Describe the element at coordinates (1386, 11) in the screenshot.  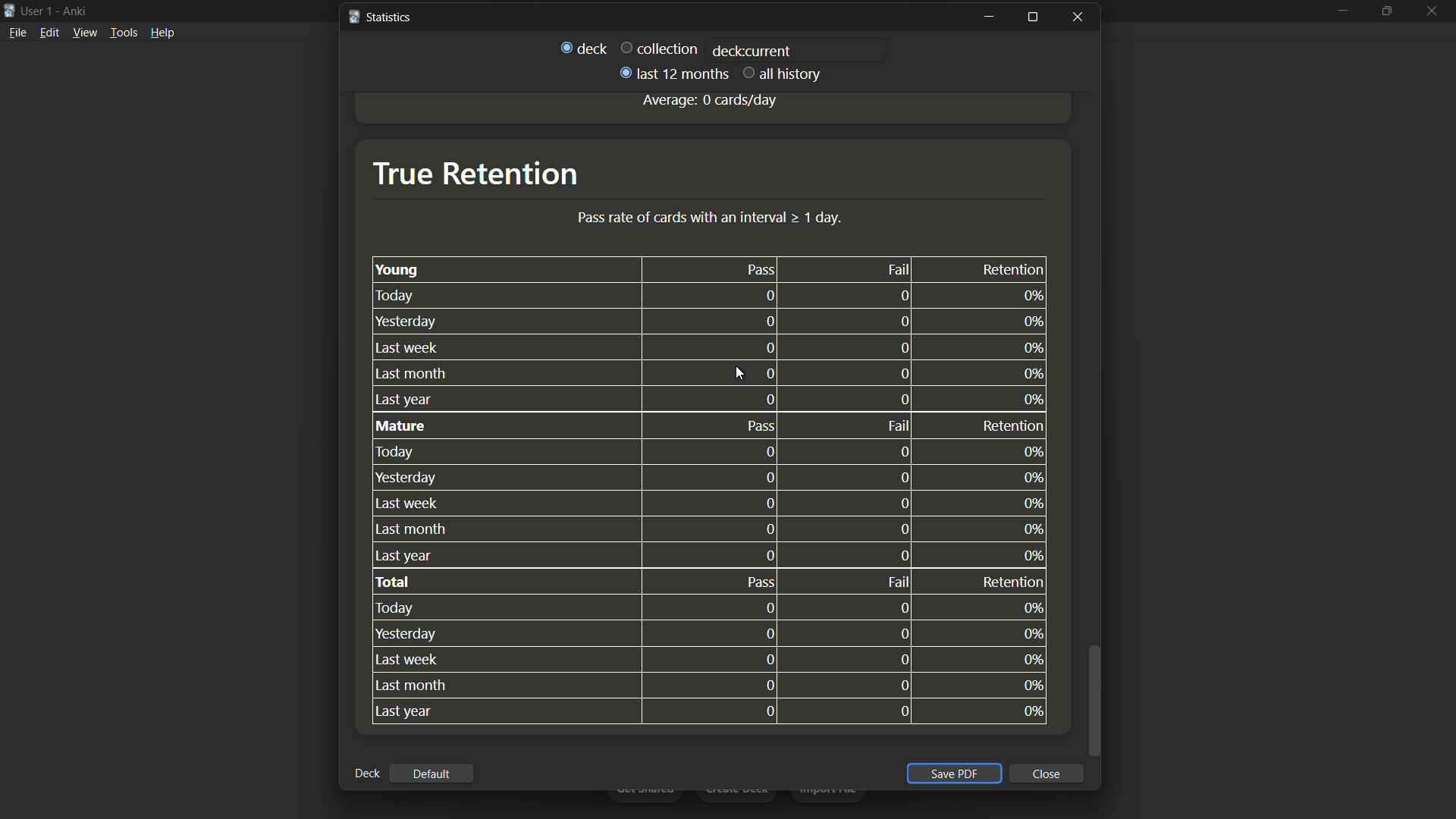
I see `maximize` at that location.